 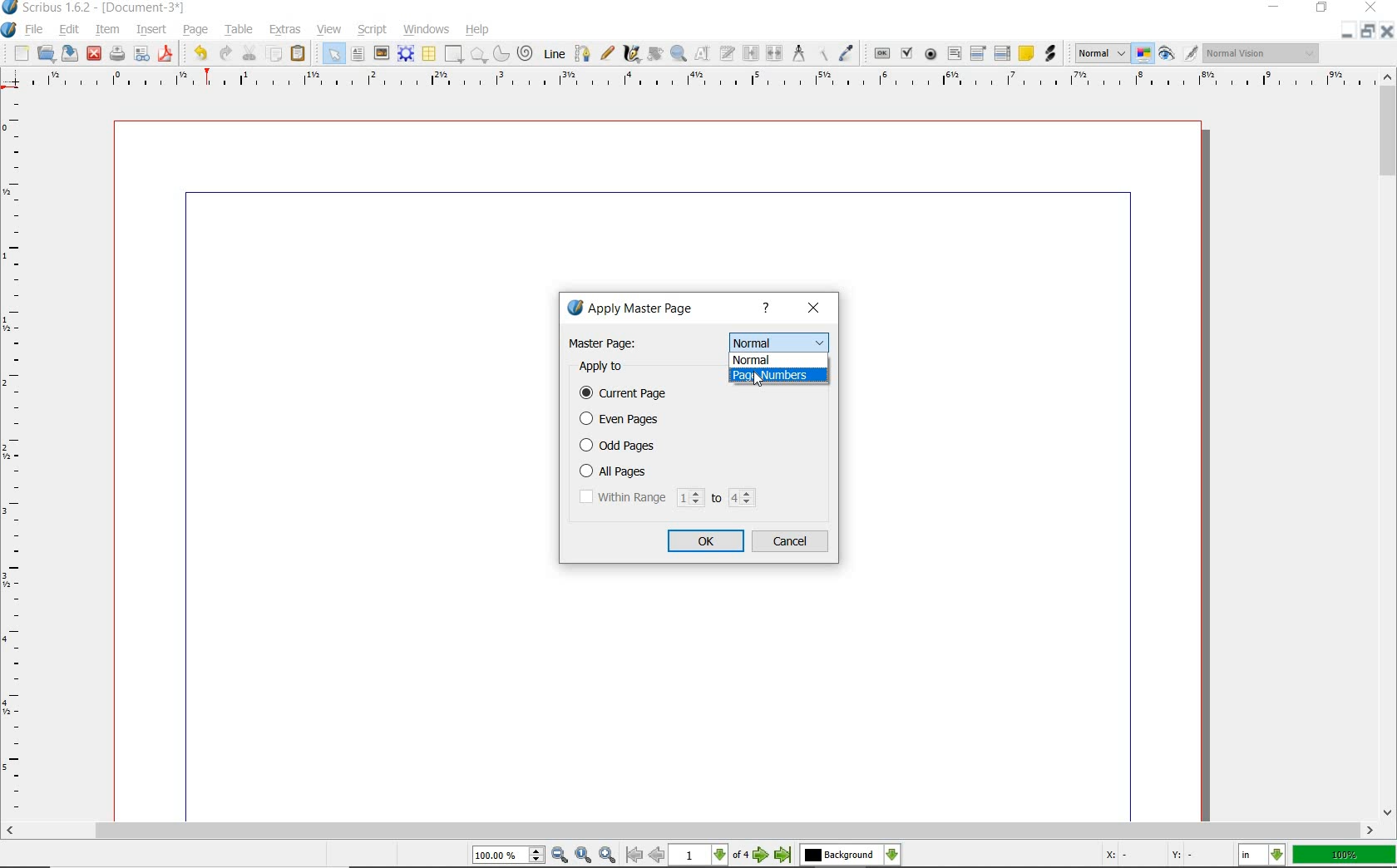 I want to click on script, so click(x=373, y=31).